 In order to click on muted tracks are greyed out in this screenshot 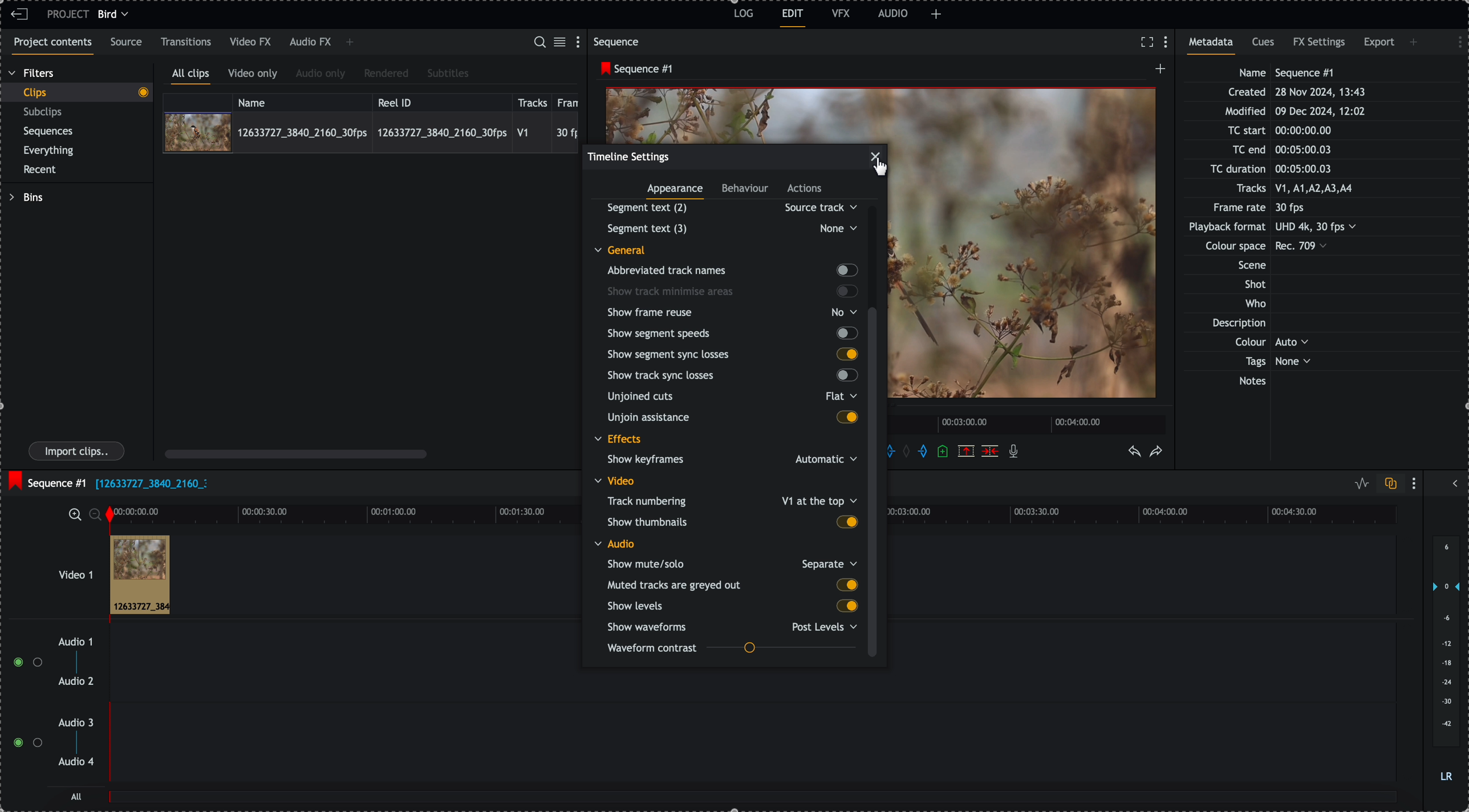, I will do `click(732, 585)`.